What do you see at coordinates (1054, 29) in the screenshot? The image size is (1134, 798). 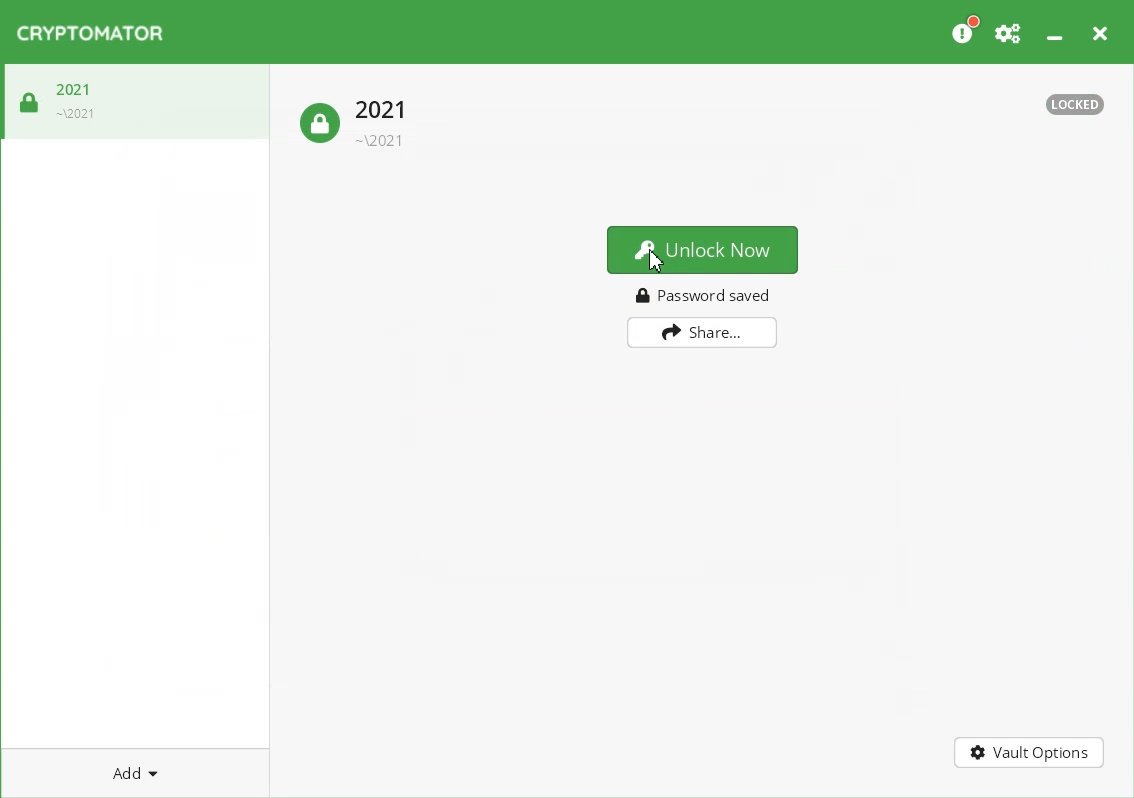 I see `Minimize` at bounding box center [1054, 29].